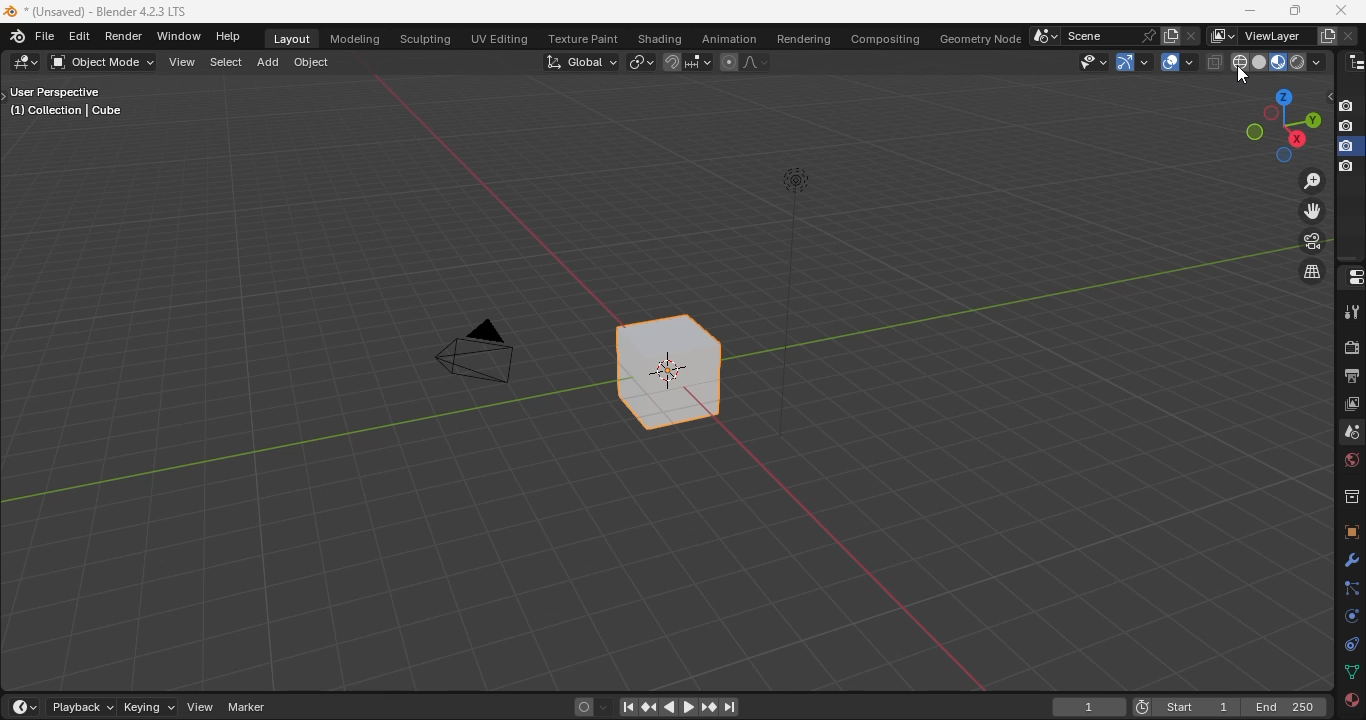  I want to click on marker, so click(248, 707).